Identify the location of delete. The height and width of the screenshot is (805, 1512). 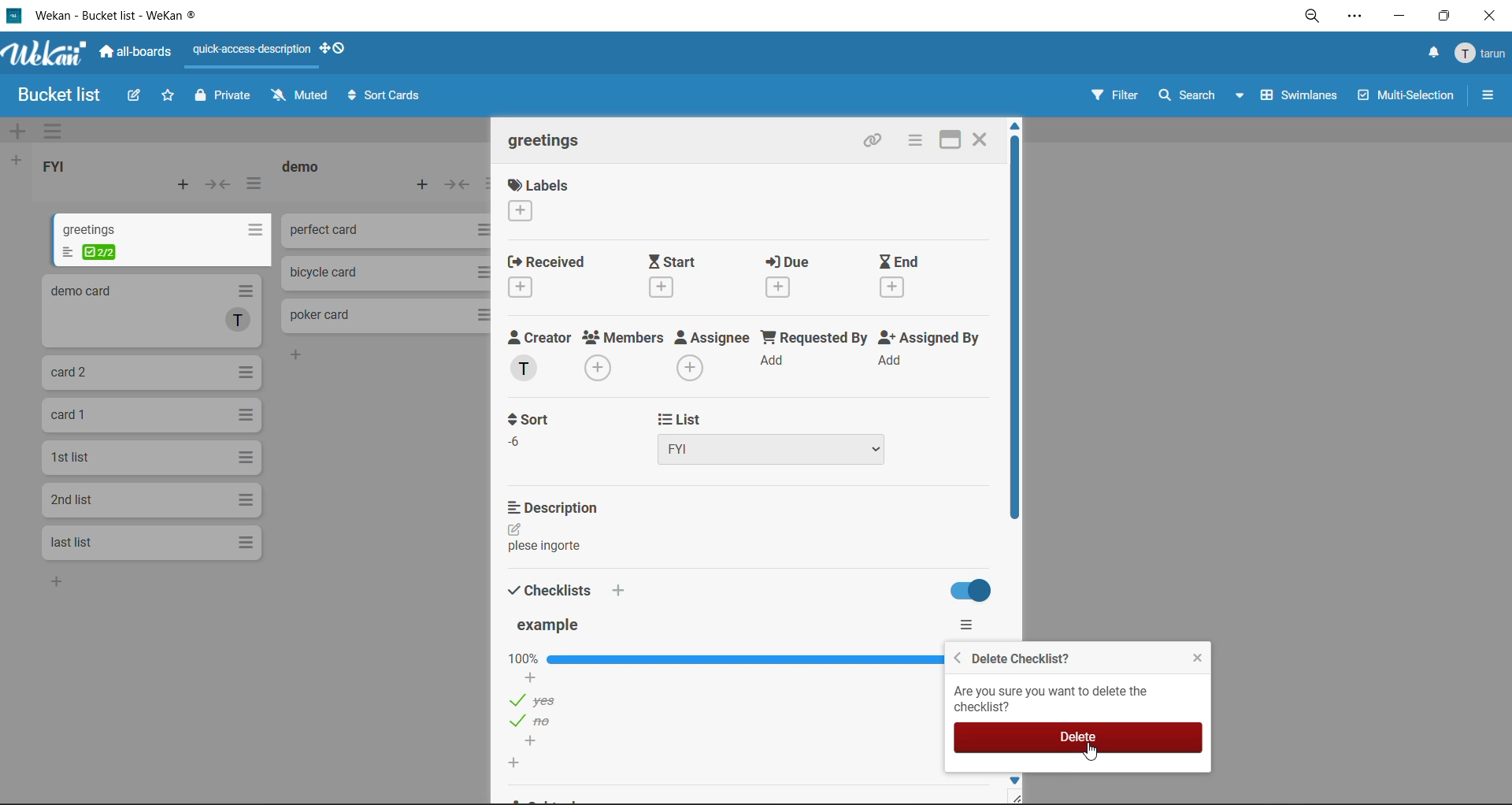
(1080, 735).